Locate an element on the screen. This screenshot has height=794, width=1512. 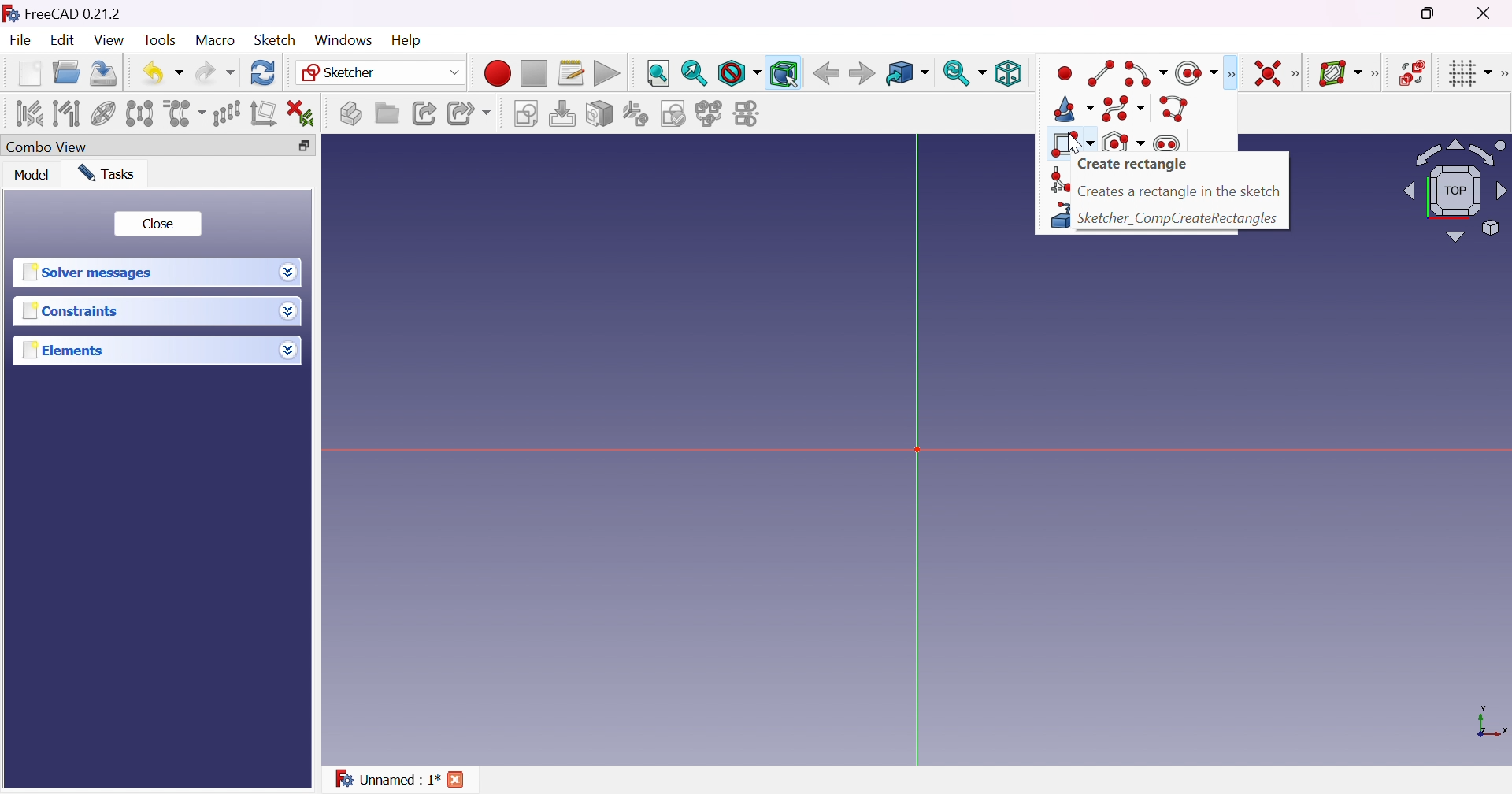
Sketcher is located at coordinates (383, 71).